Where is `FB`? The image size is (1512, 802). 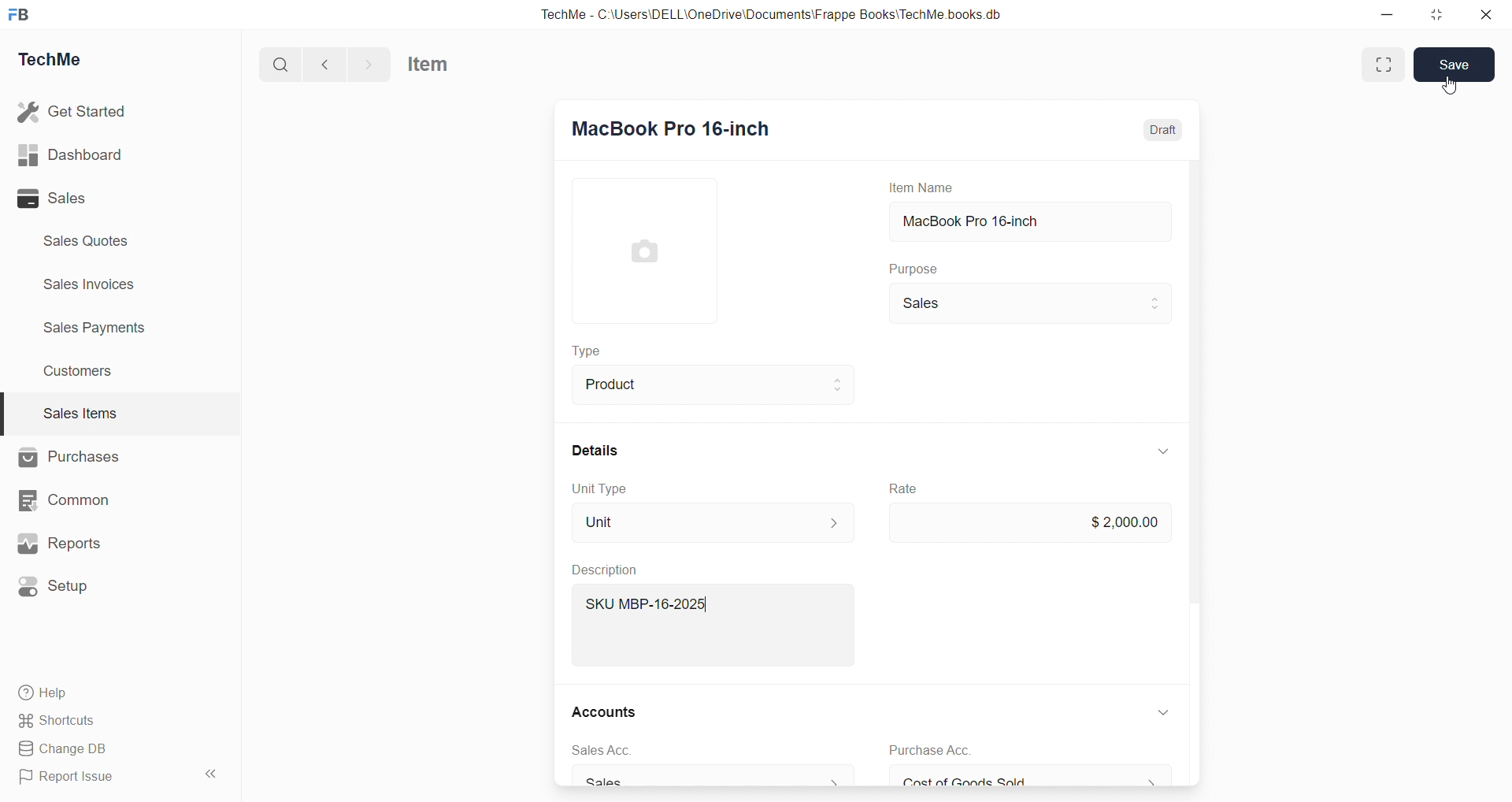 FB is located at coordinates (22, 14).